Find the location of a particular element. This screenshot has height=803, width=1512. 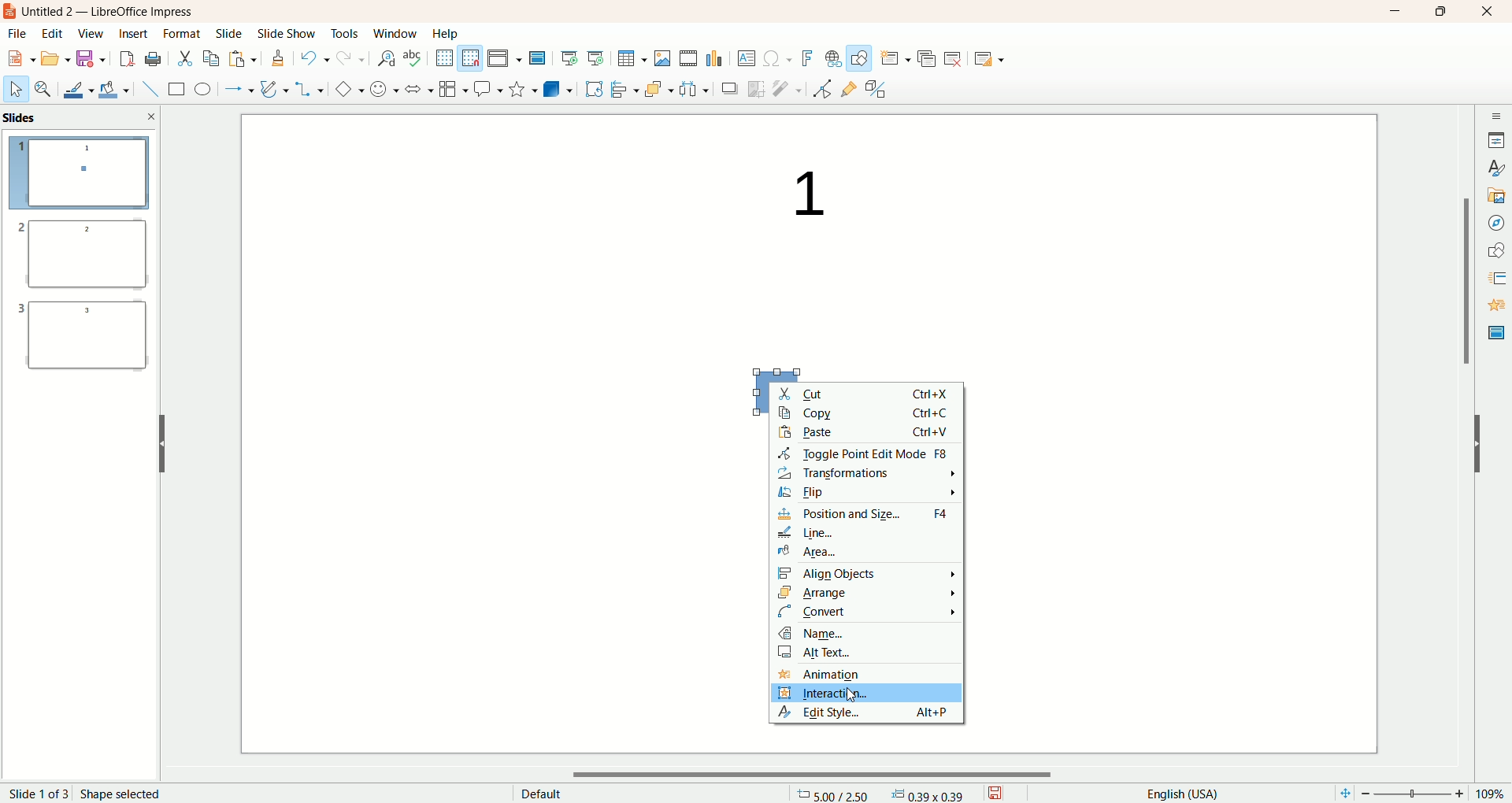

fill color is located at coordinates (113, 89).